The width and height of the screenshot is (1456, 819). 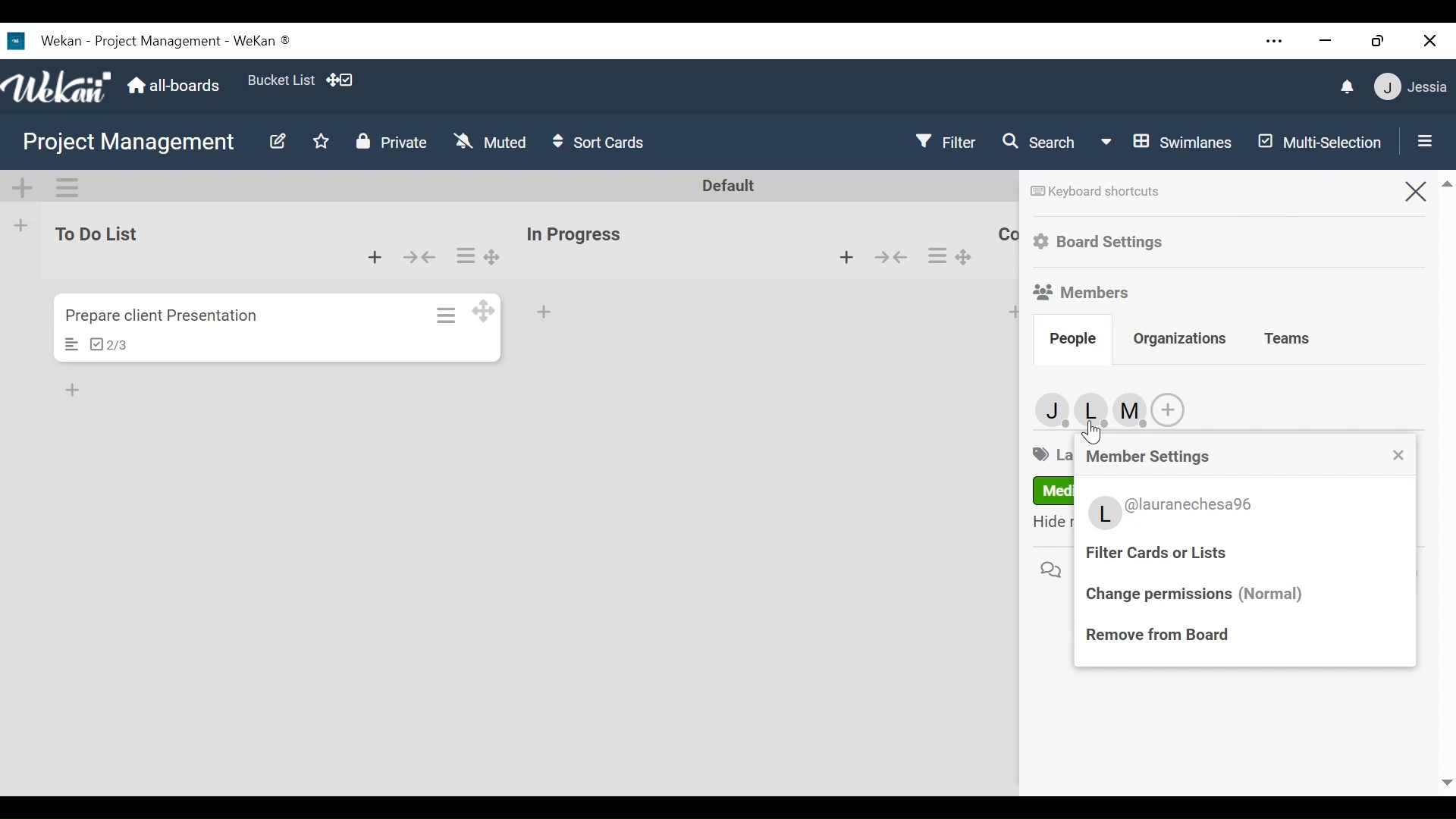 What do you see at coordinates (1430, 39) in the screenshot?
I see `Close` at bounding box center [1430, 39].